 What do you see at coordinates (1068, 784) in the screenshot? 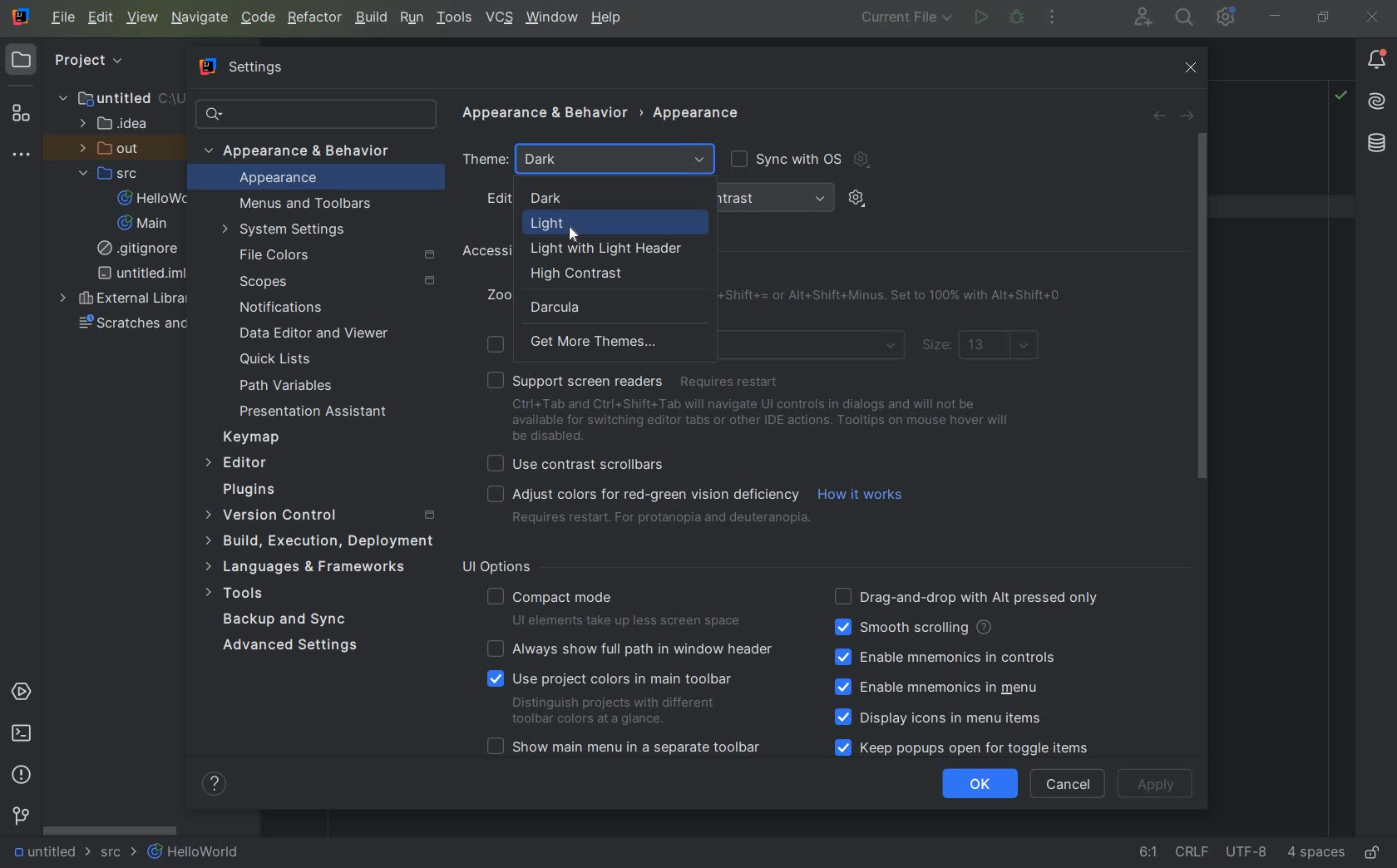
I see `cancel` at bounding box center [1068, 784].